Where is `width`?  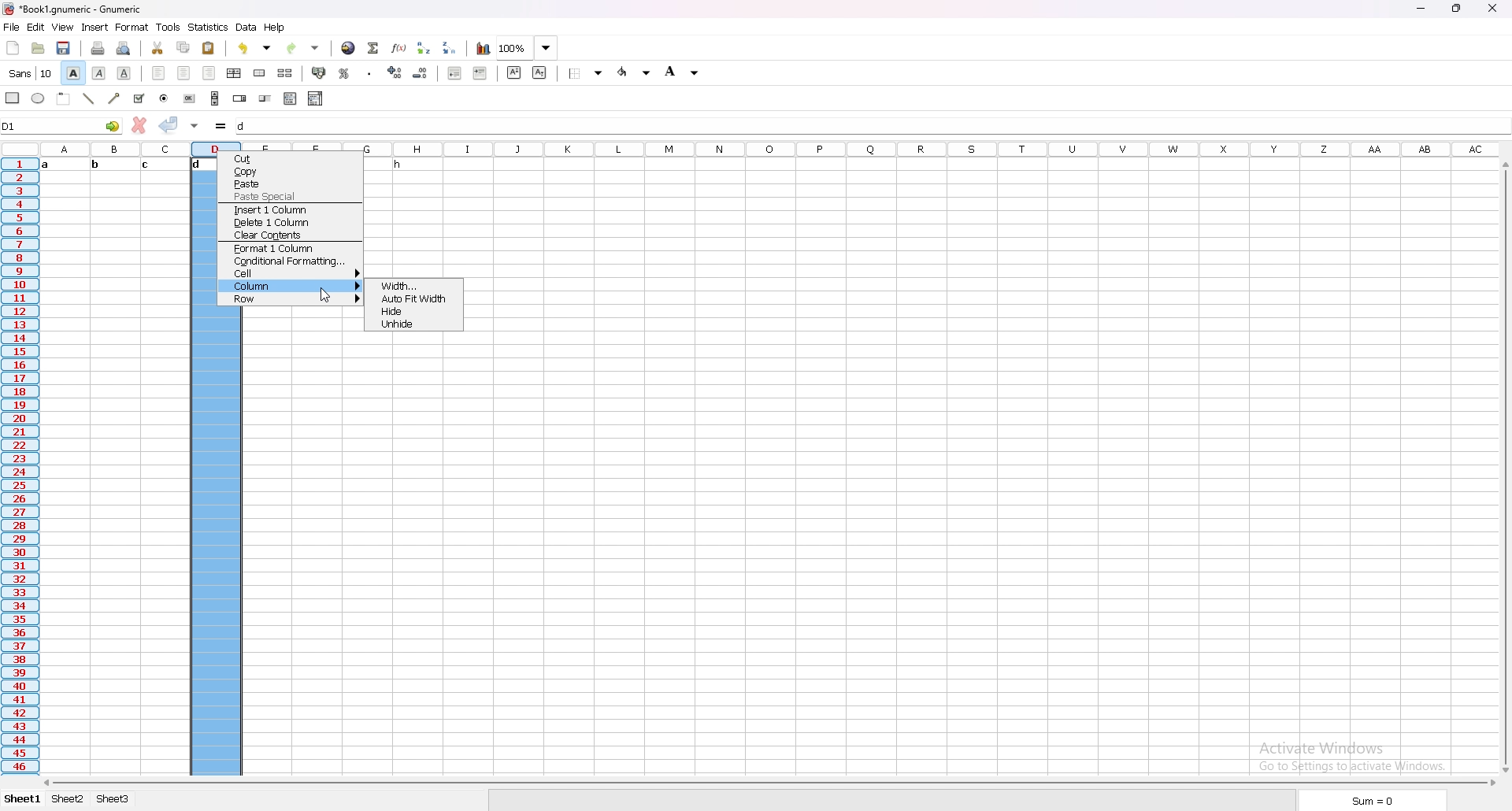
width is located at coordinates (414, 286).